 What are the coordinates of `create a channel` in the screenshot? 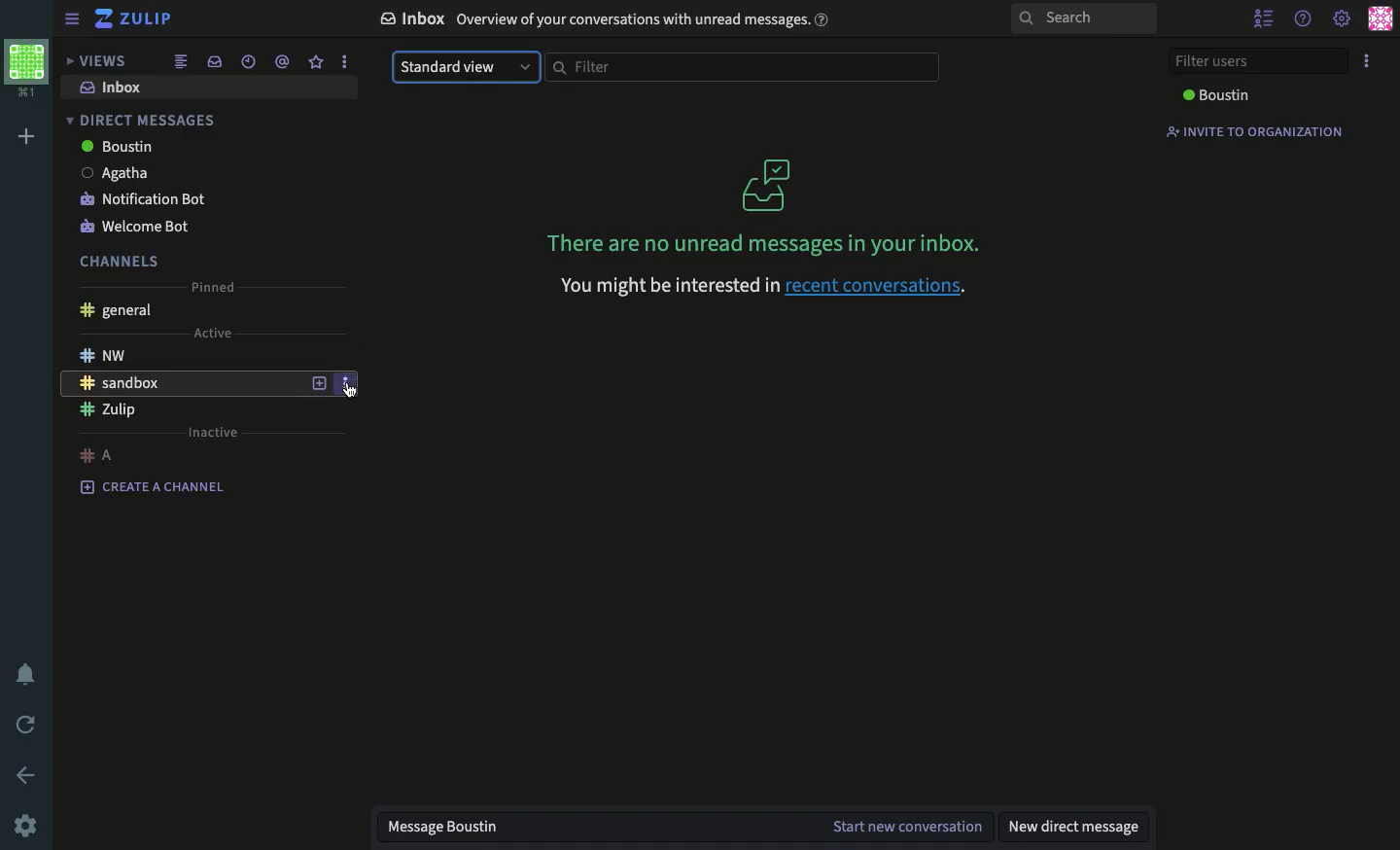 It's located at (154, 487).